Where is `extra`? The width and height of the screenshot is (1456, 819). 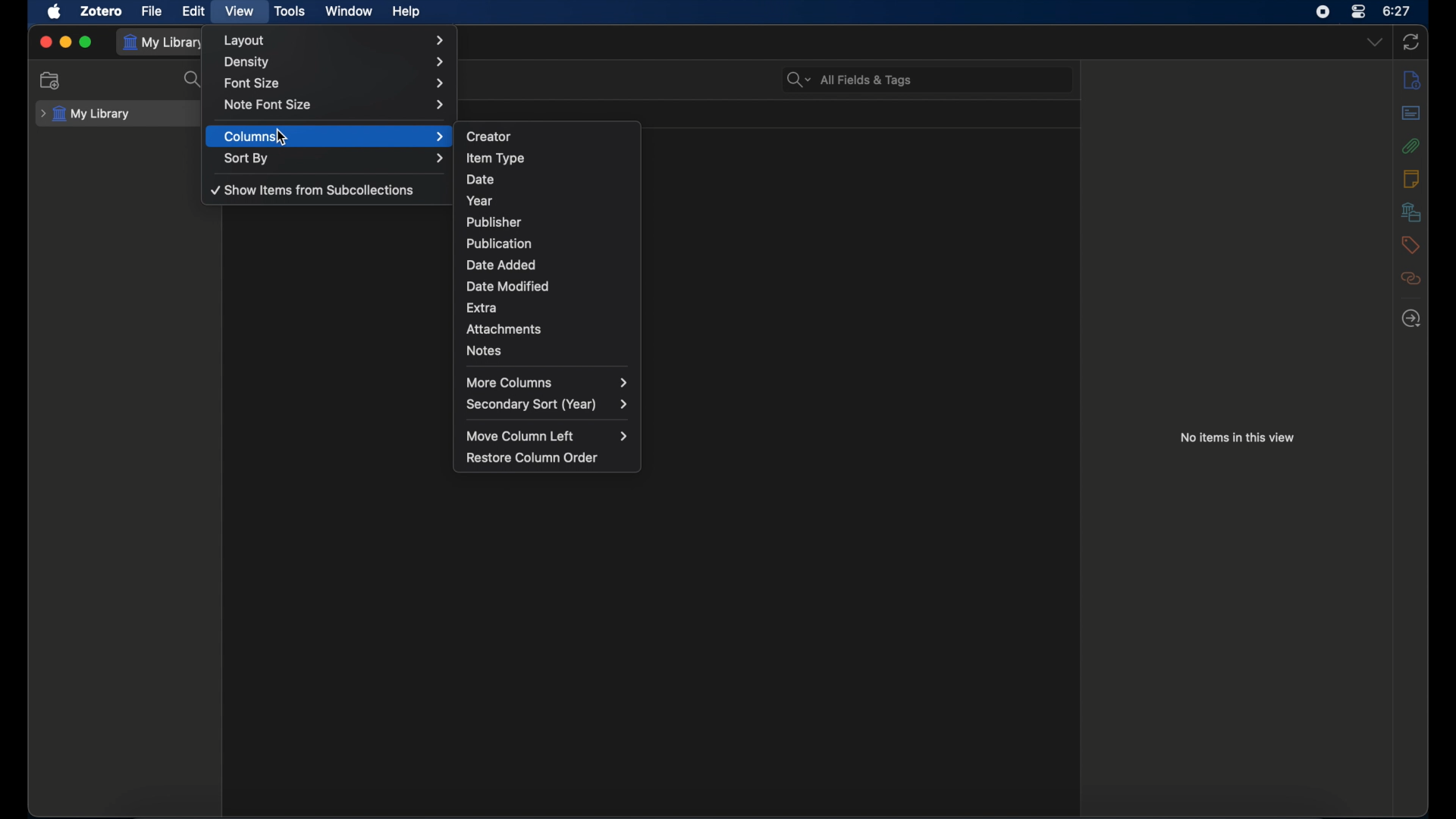
extra is located at coordinates (482, 308).